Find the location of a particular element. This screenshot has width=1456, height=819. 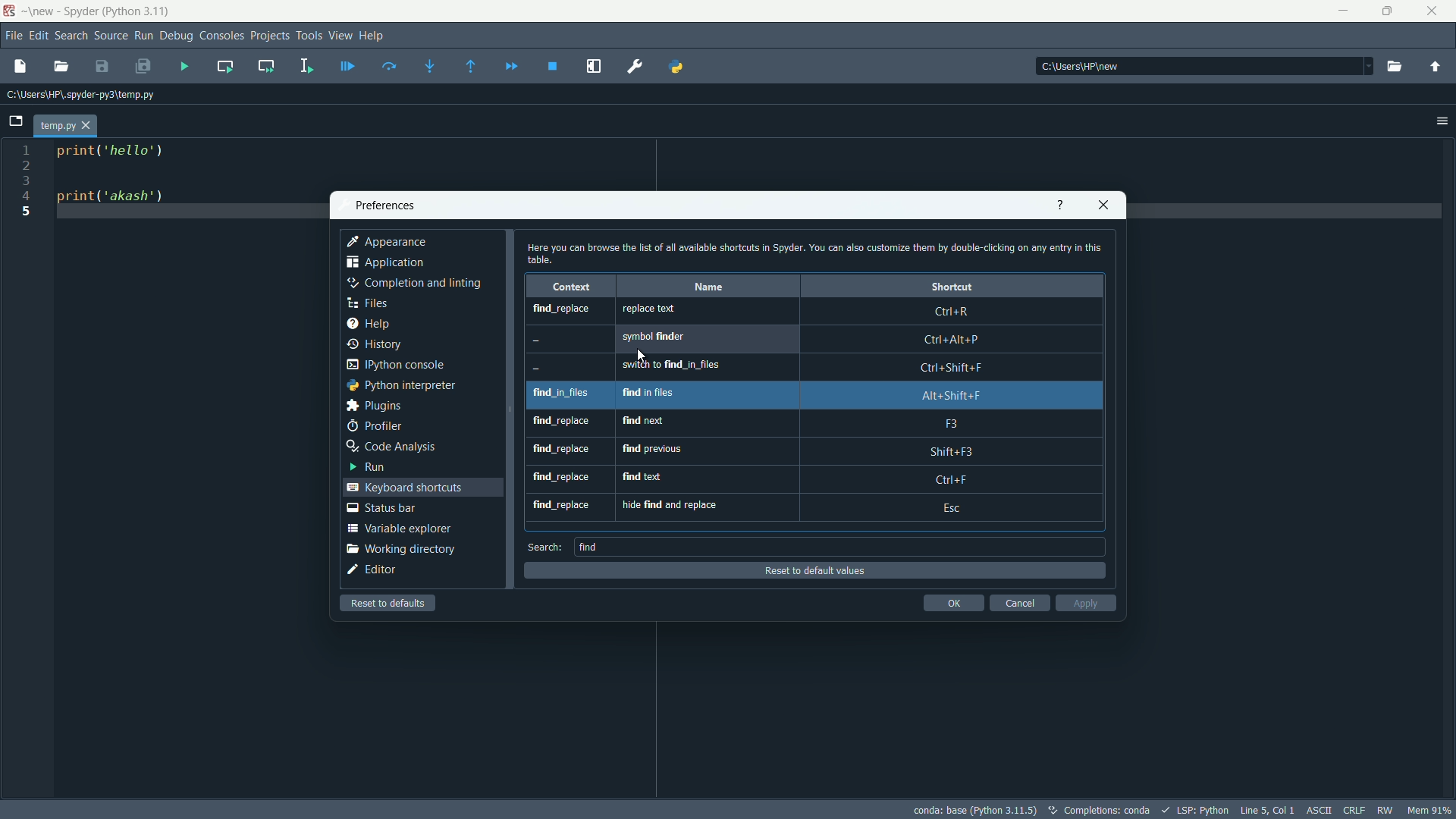

2 is located at coordinates (27, 165).